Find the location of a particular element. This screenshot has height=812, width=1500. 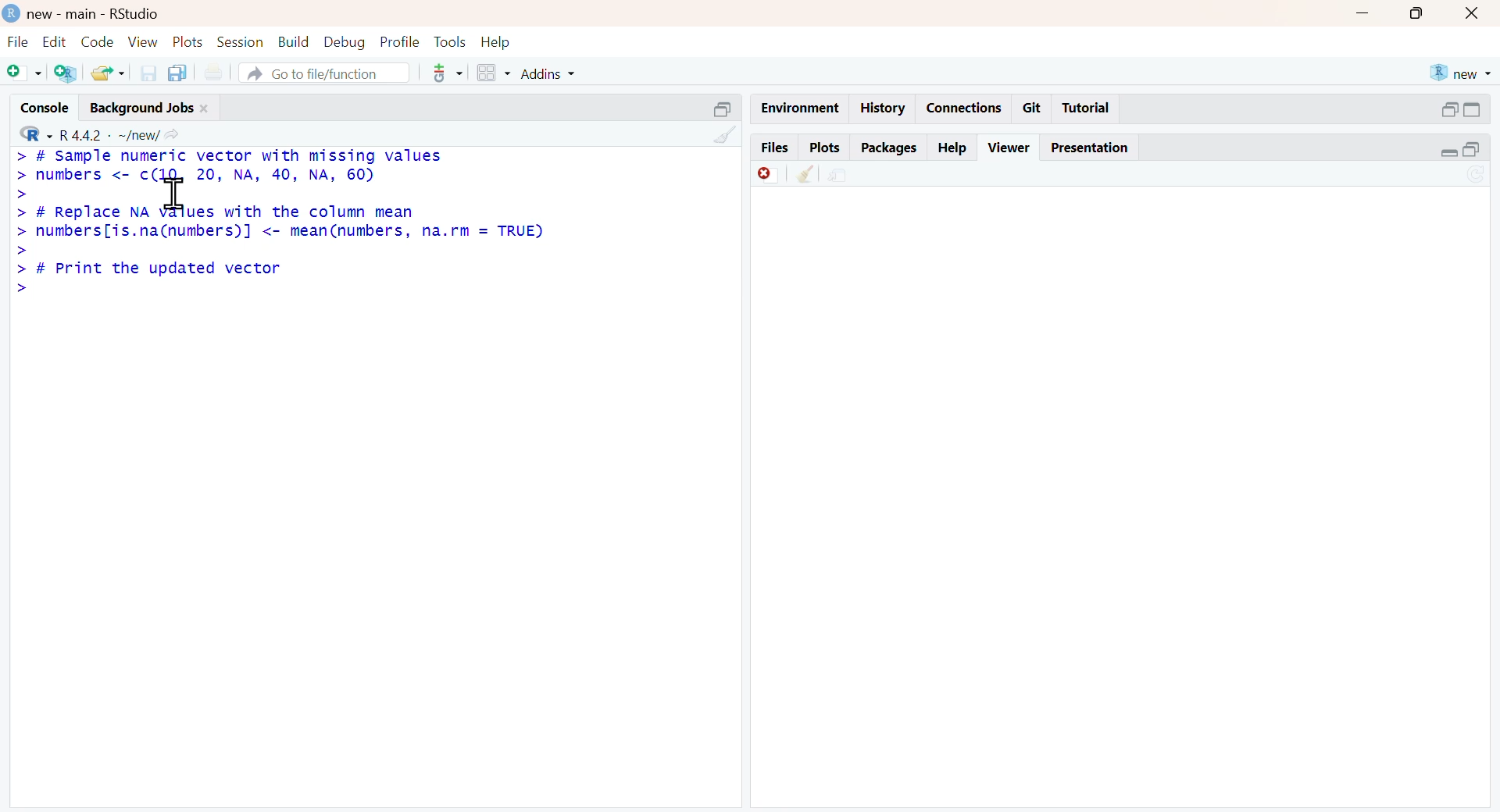

console is located at coordinates (45, 107).